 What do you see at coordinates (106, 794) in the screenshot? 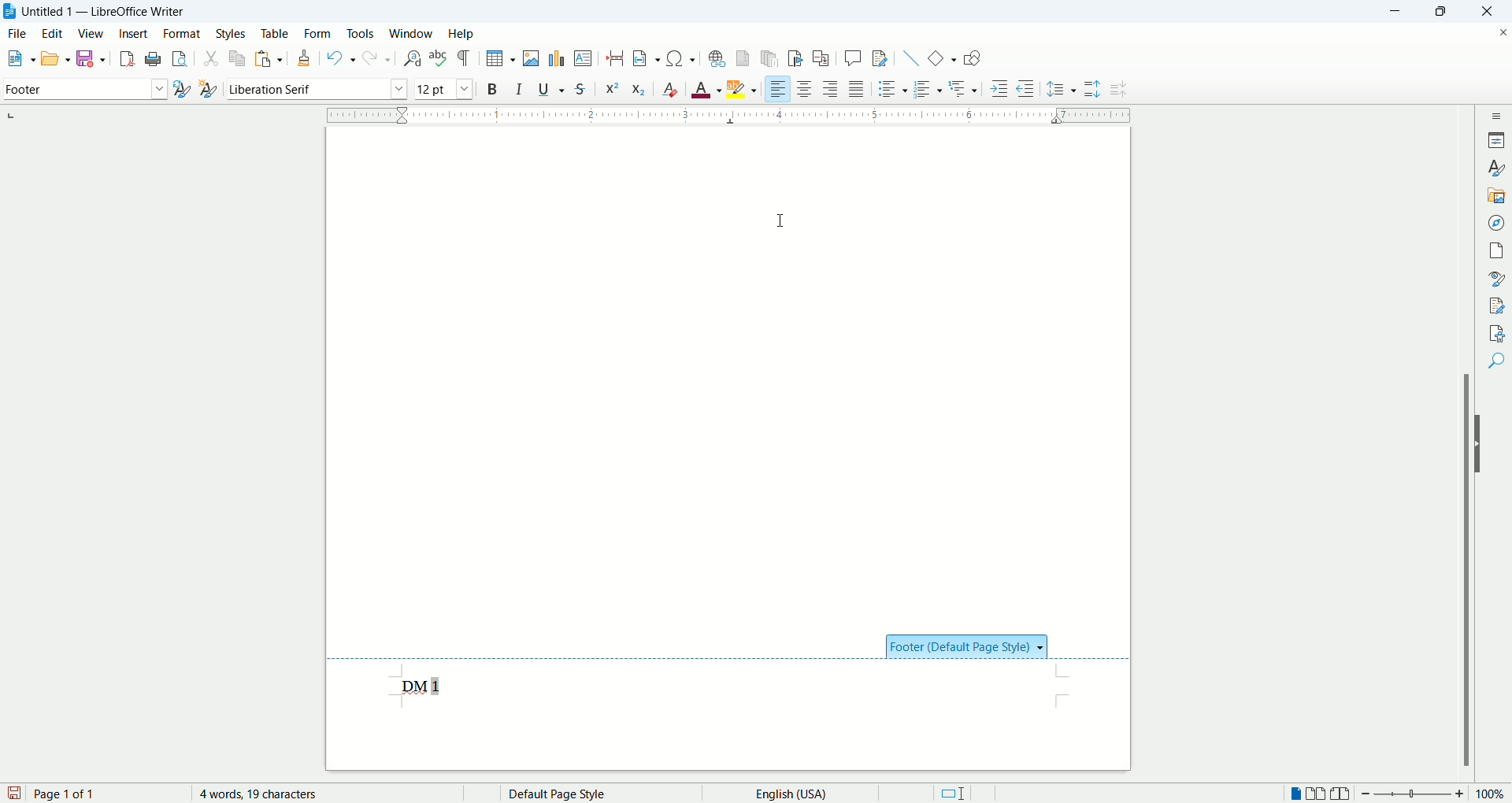
I see `page number` at bounding box center [106, 794].